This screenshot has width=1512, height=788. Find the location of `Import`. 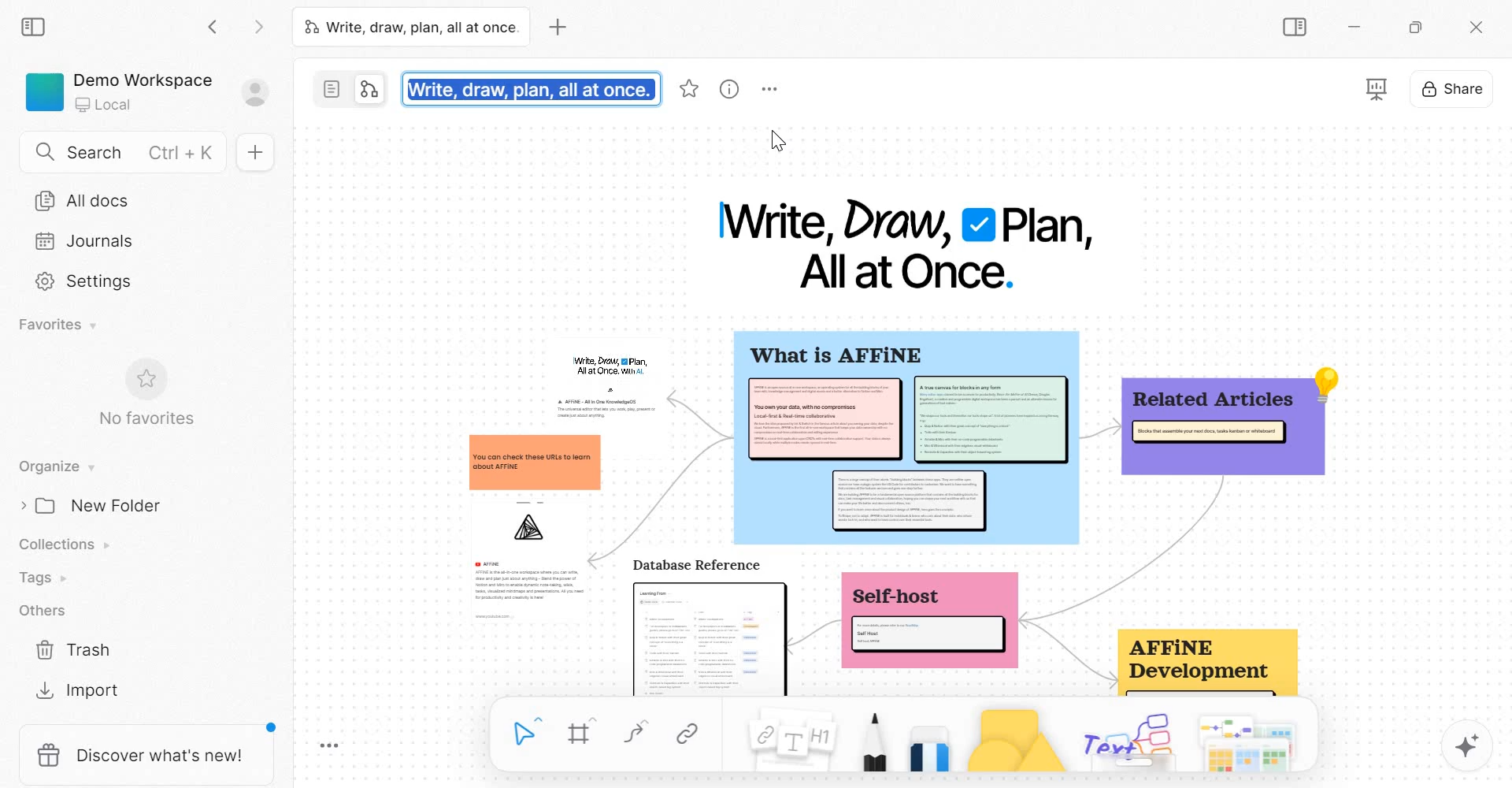

Import is located at coordinates (78, 689).